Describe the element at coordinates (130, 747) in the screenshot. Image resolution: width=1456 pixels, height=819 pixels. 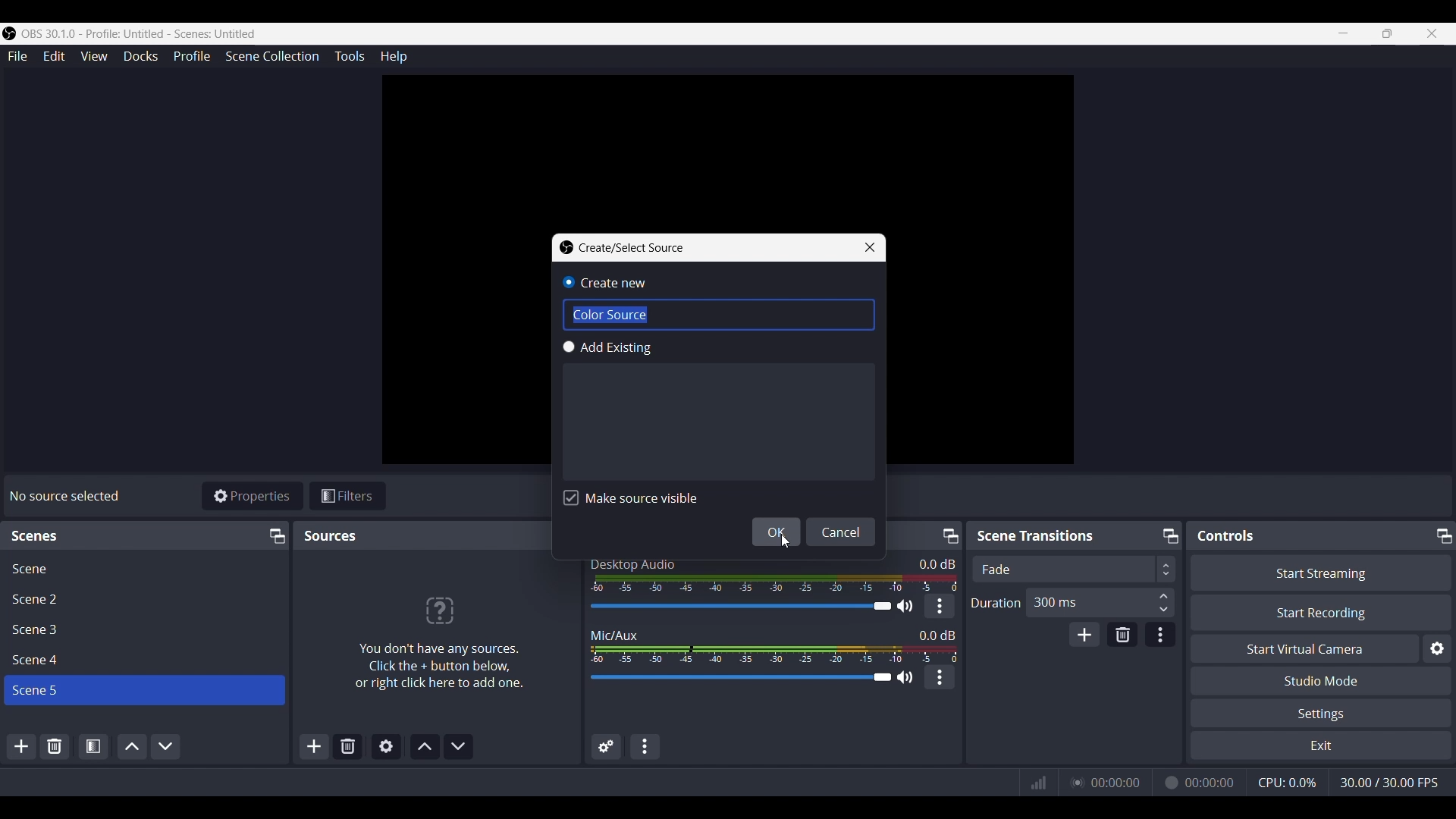
I see `Move Scene Up ` at that location.